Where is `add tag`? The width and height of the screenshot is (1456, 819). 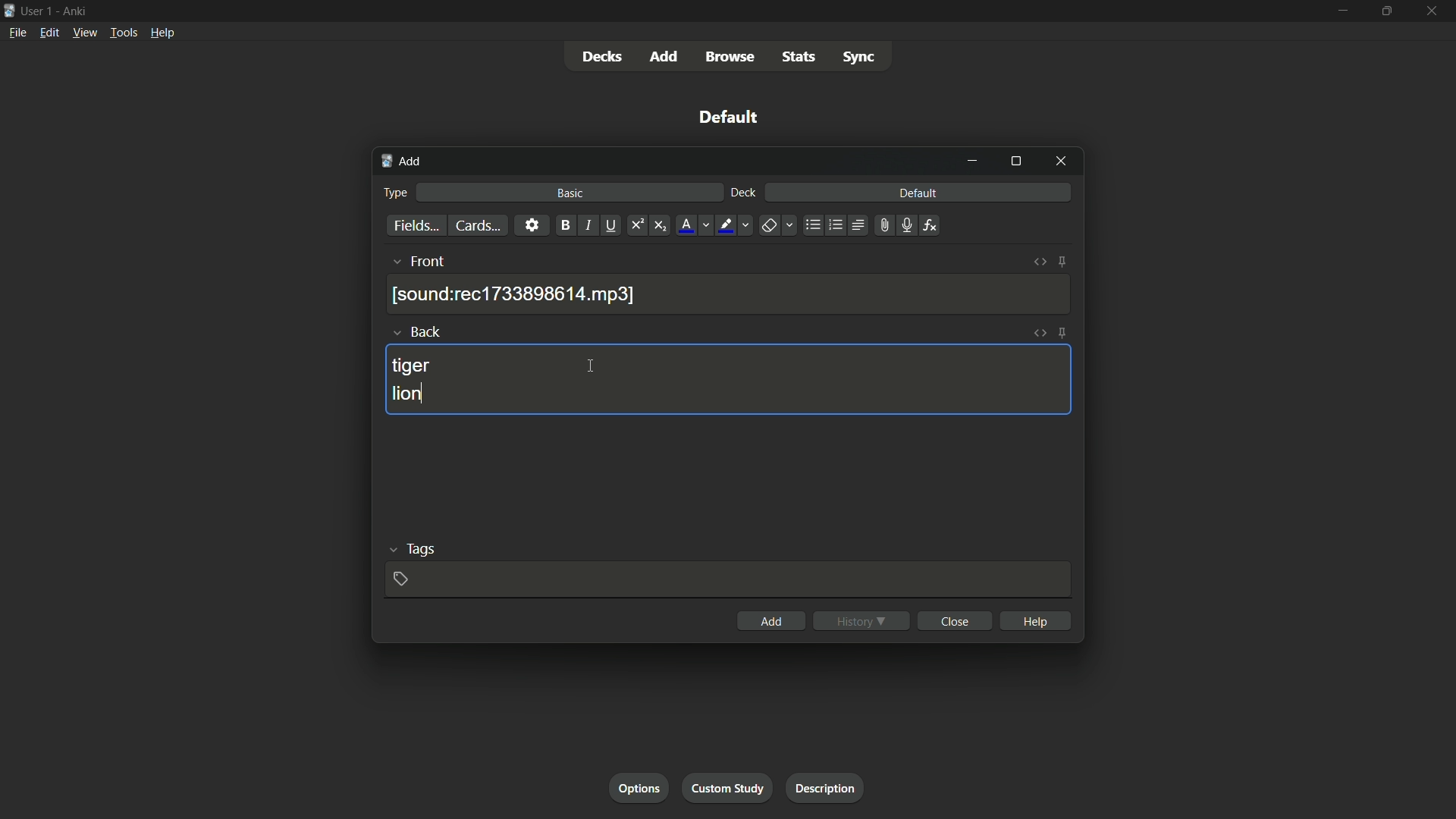
add tag is located at coordinates (401, 578).